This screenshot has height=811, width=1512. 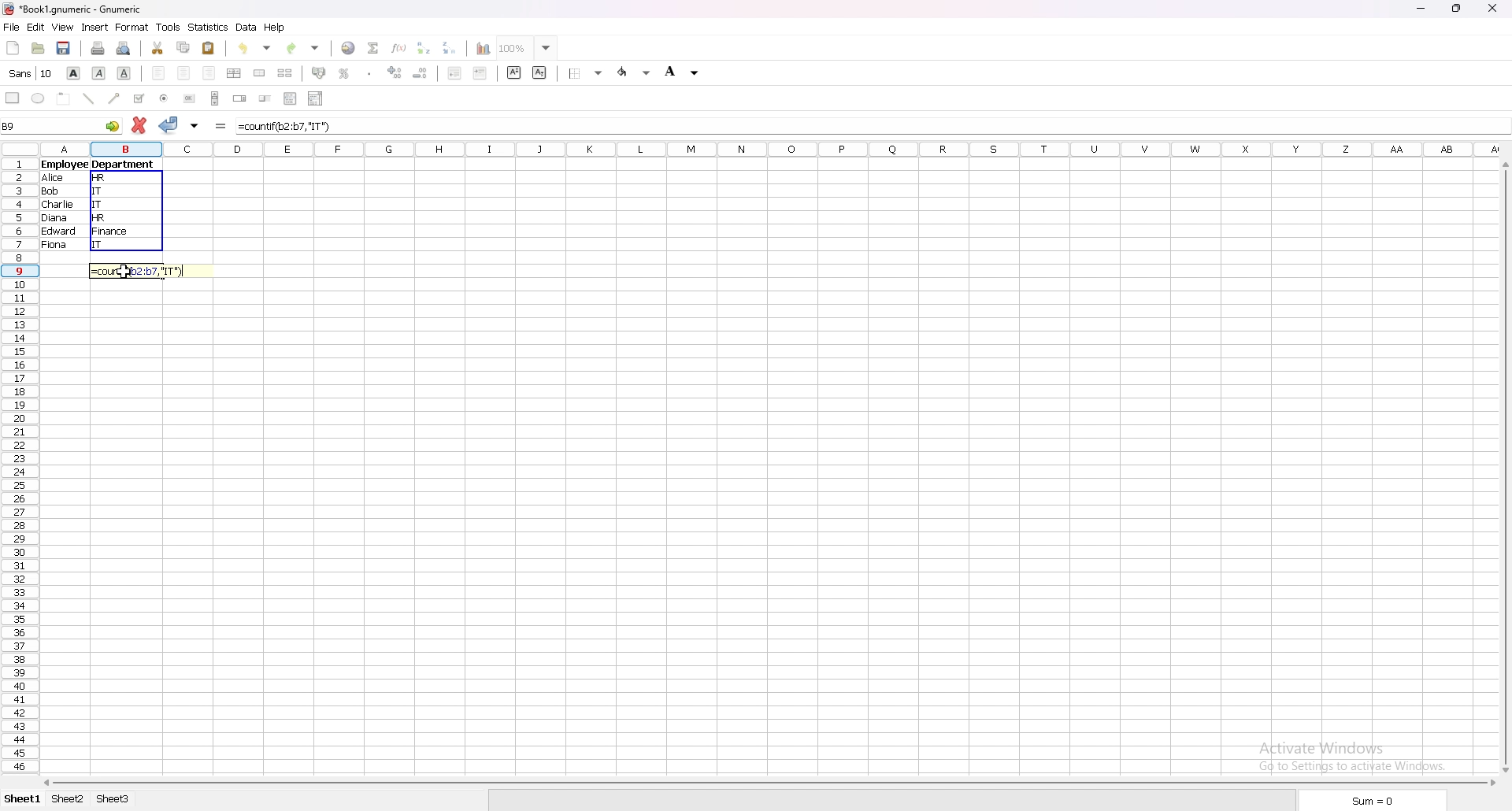 What do you see at coordinates (69, 799) in the screenshot?
I see `sheet 2` at bounding box center [69, 799].